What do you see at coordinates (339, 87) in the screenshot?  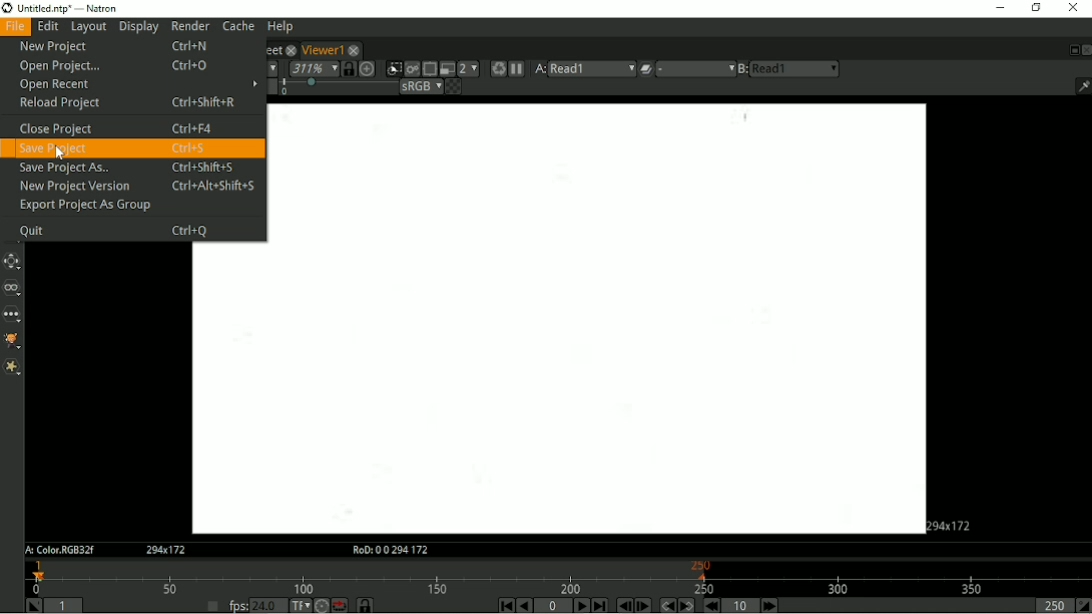 I see `selection bar` at bounding box center [339, 87].